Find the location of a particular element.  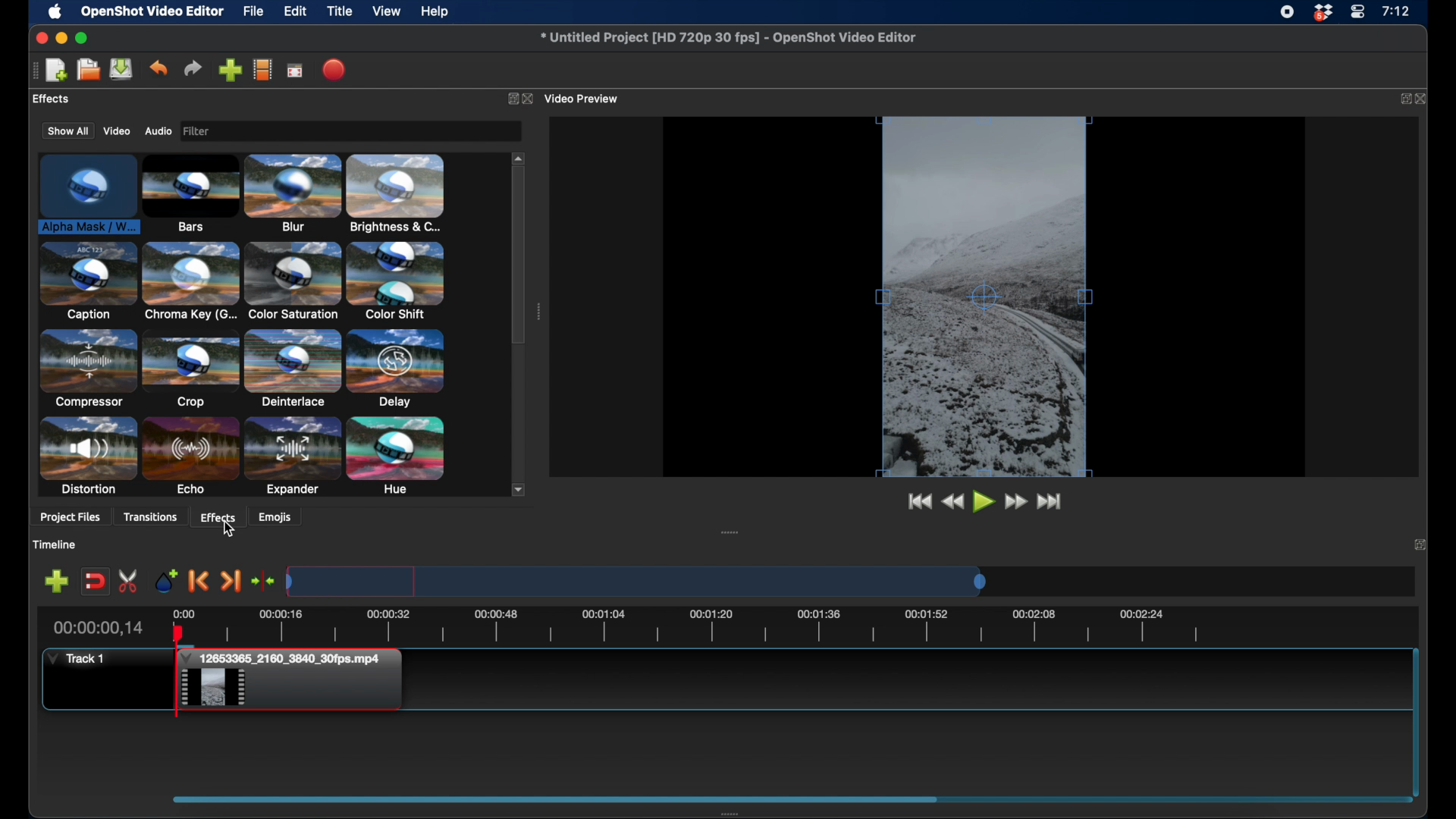

timeline is located at coordinates (707, 629).